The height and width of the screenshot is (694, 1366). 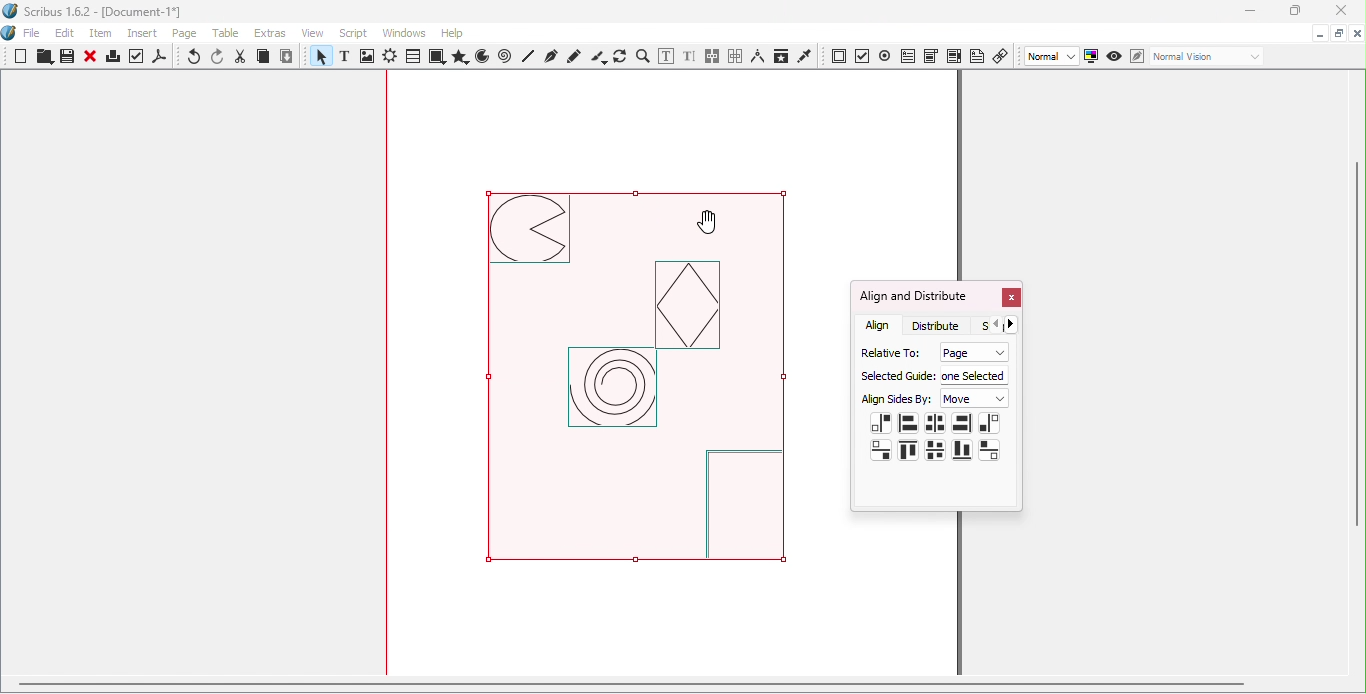 I want to click on Redo, so click(x=219, y=57).